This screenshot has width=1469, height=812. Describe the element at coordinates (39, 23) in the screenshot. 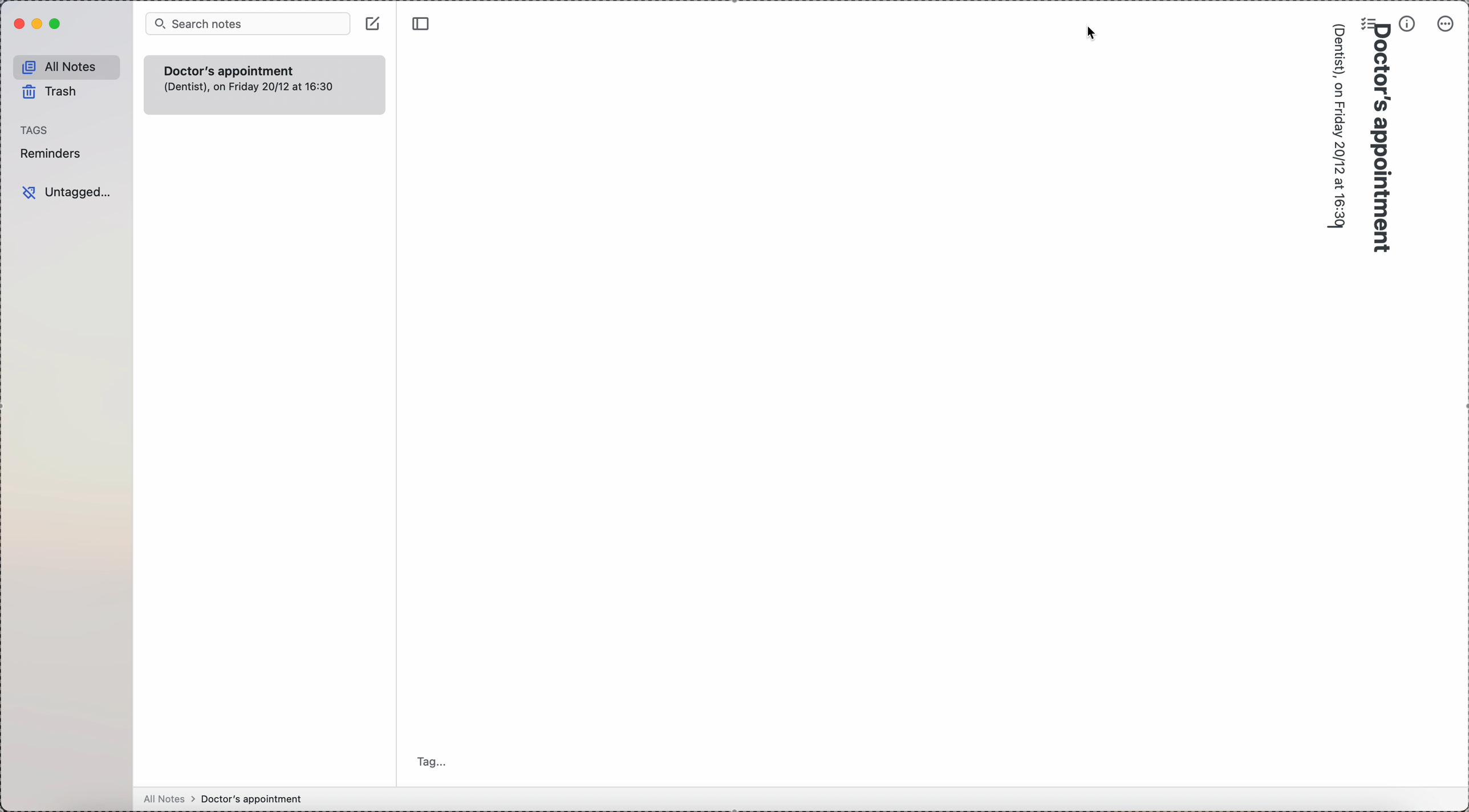

I see `minimize Simplenote` at that location.